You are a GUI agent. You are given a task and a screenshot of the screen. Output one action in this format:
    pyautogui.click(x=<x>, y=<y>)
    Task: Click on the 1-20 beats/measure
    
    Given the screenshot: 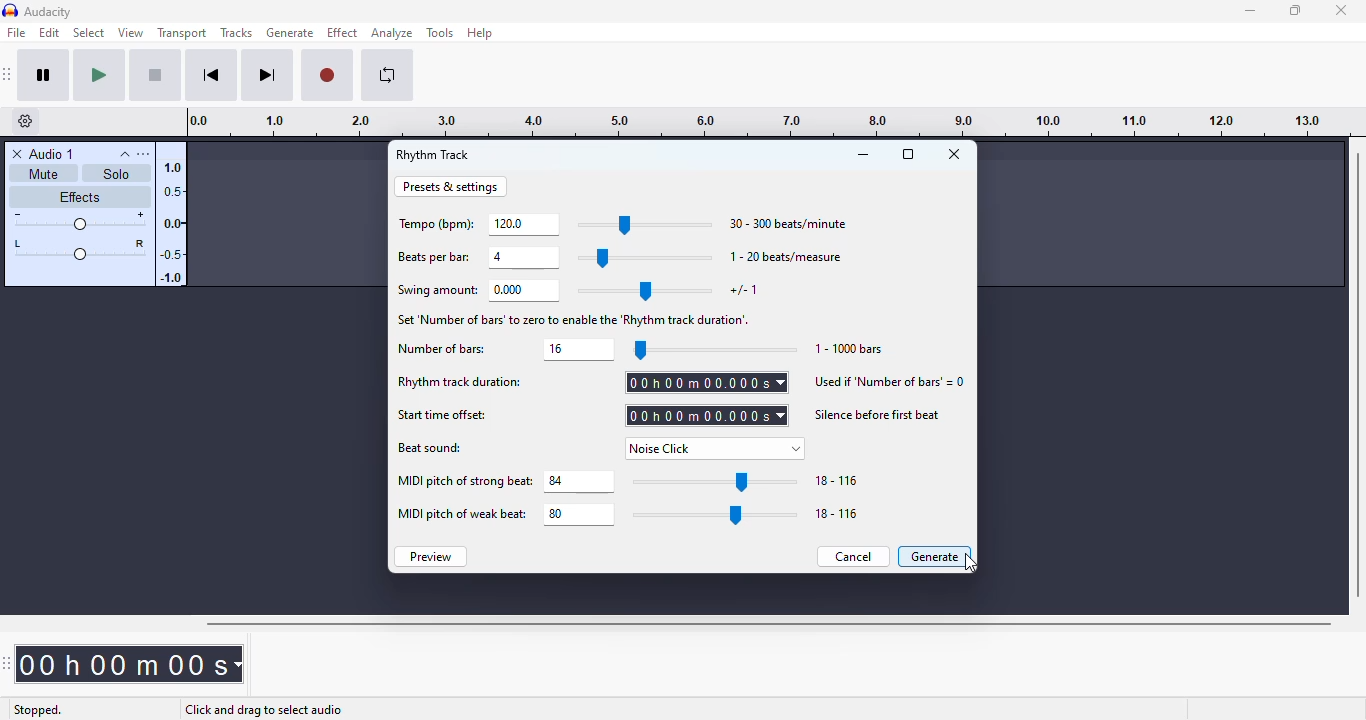 What is the action you would take?
    pyautogui.click(x=785, y=256)
    